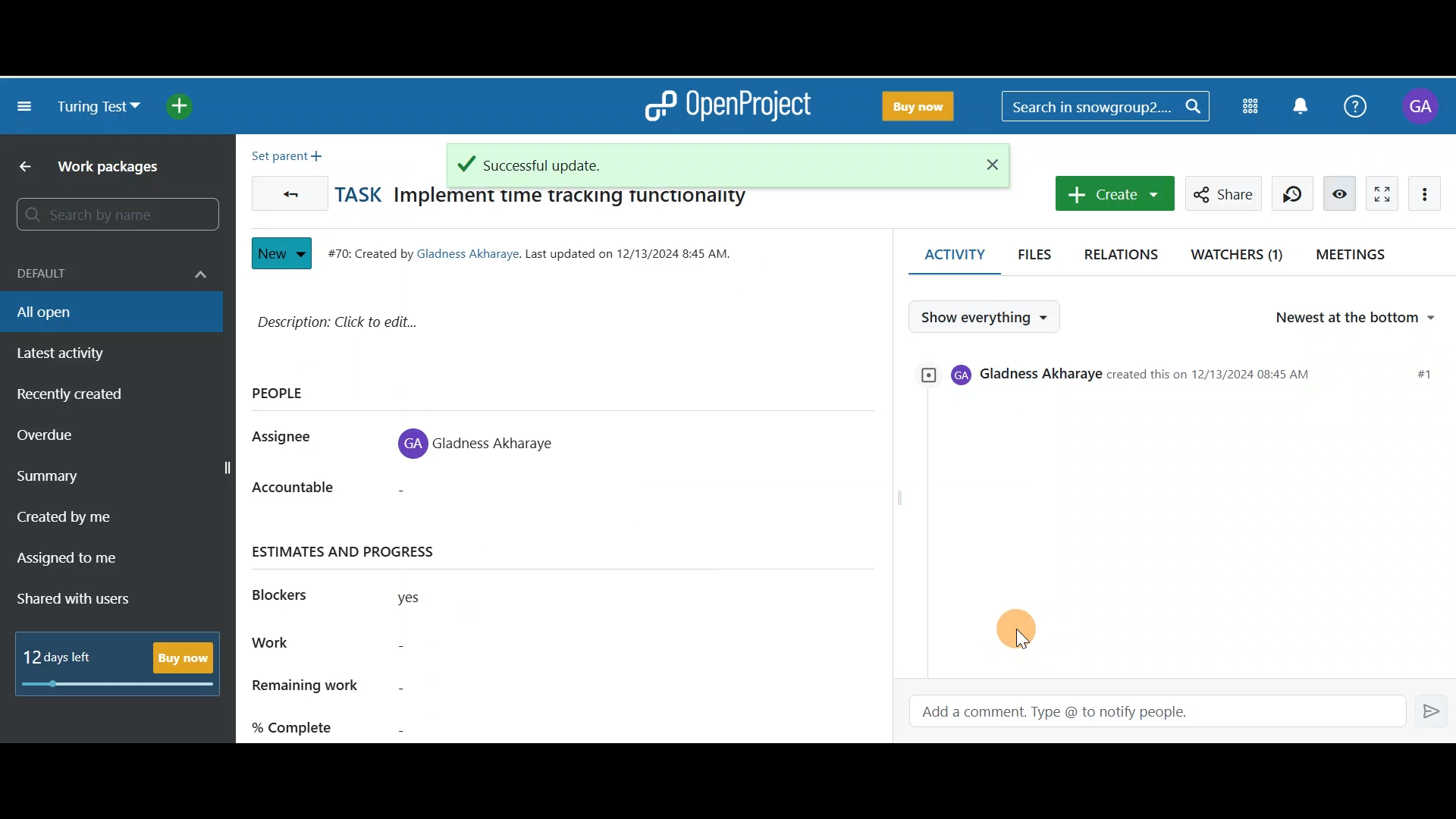  I want to click on Back, so click(286, 190).